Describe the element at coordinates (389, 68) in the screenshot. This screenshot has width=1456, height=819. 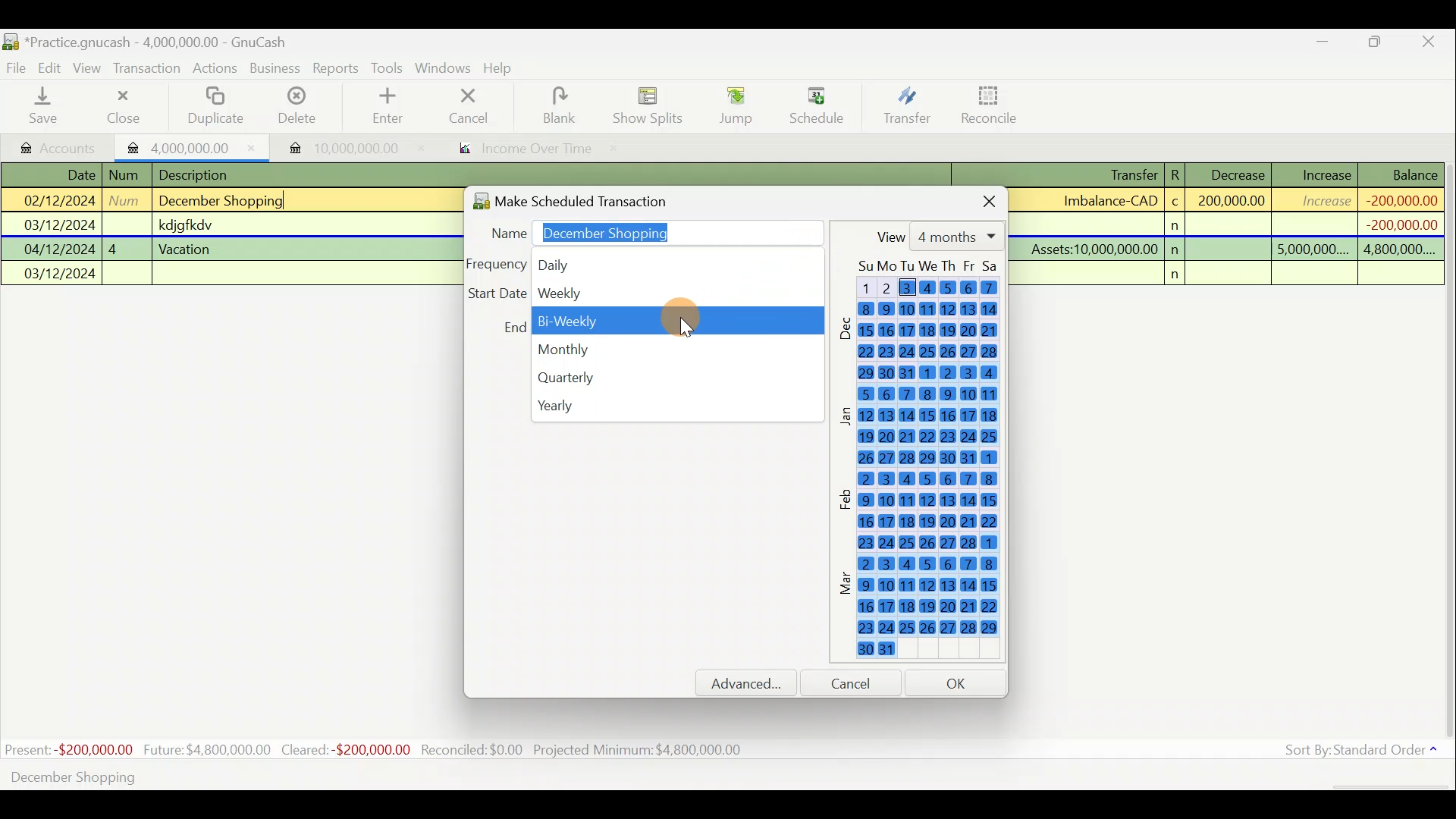
I see `Tools` at that location.